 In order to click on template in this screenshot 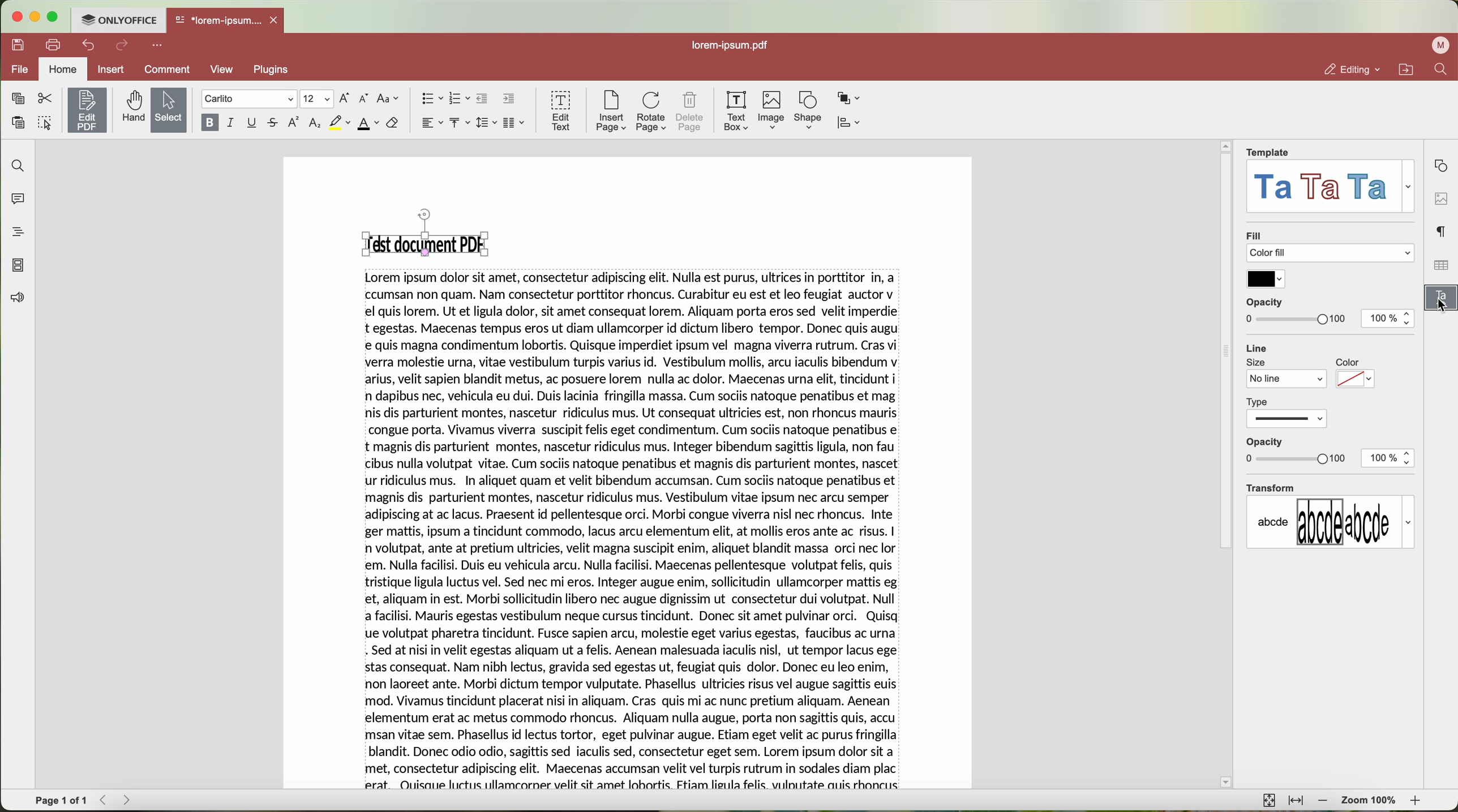, I will do `click(1269, 152)`.